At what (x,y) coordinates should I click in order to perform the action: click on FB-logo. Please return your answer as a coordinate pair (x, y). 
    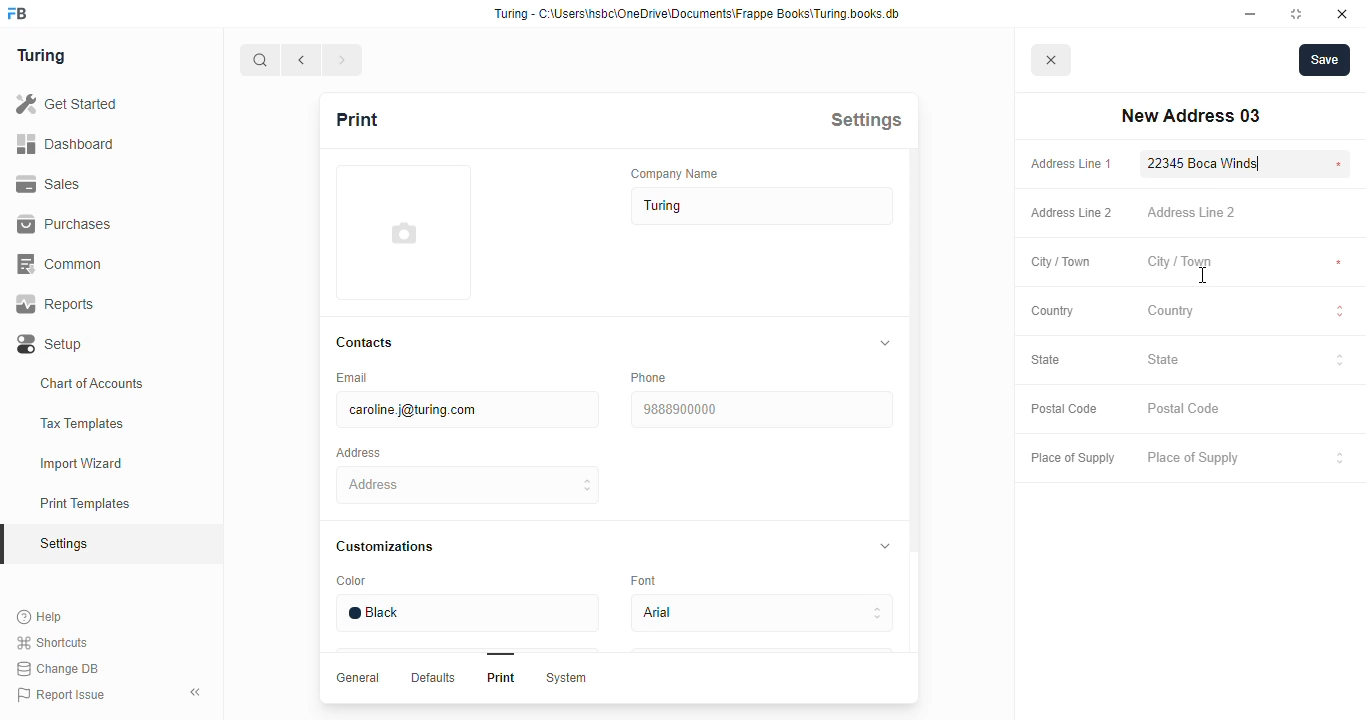
    Looking at the image, I should click on (17, 13).